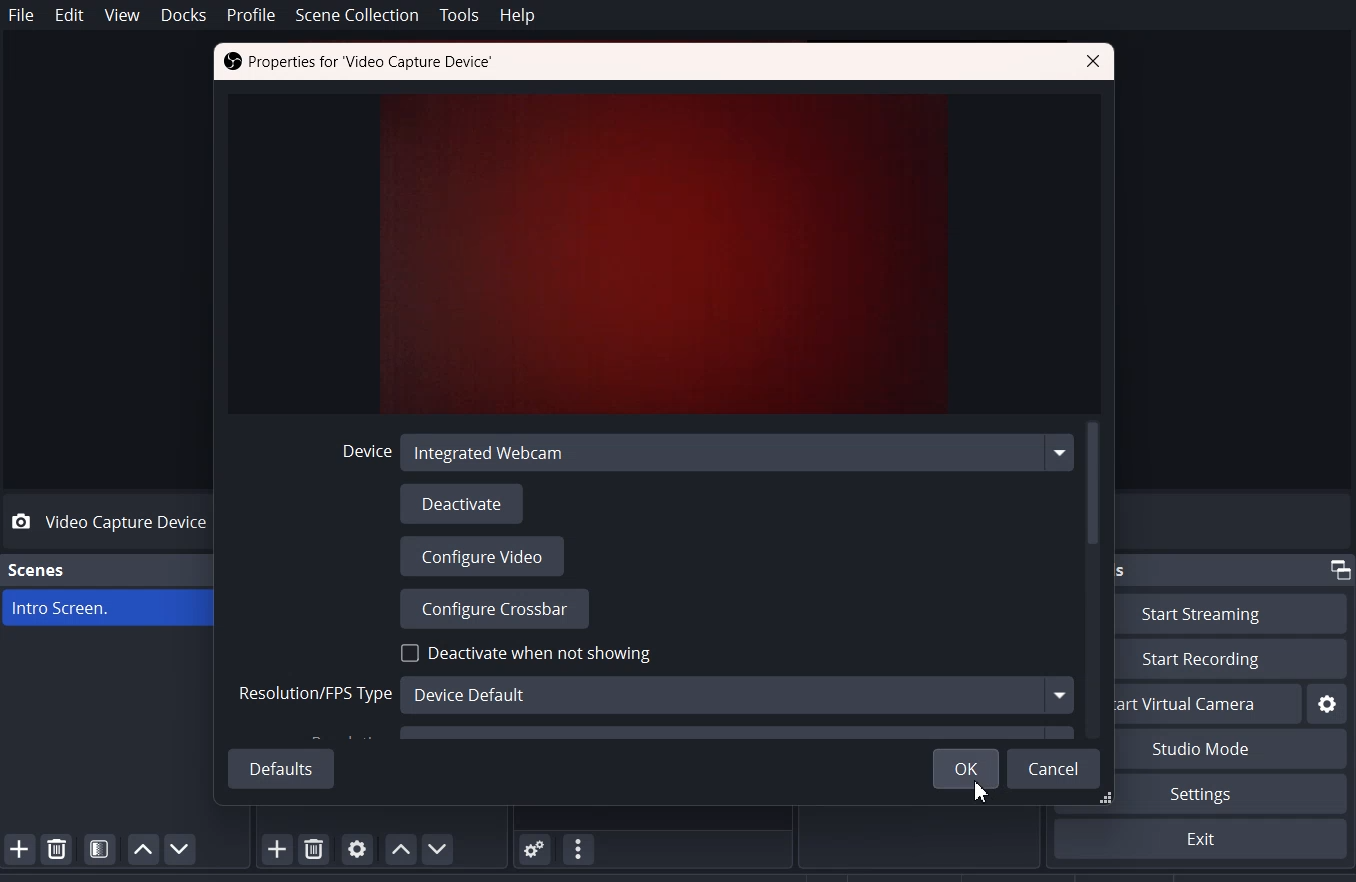  Describe the element at coordinates (1327, 703) in the screenshot. I see `Settings` at that location.